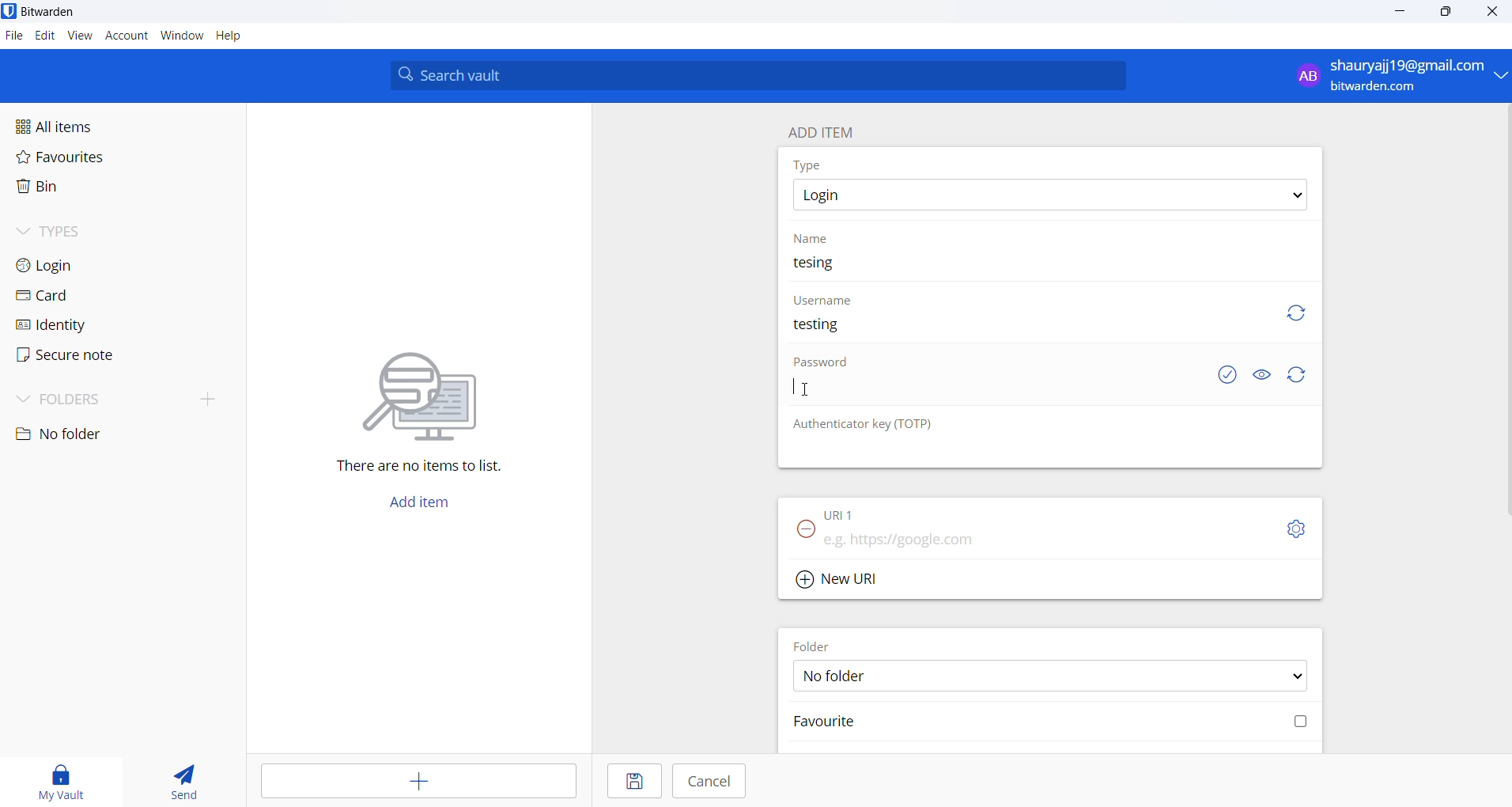 This screenshot has width=1512, height=807. I want to click on Username text box, so click(1019, 332).